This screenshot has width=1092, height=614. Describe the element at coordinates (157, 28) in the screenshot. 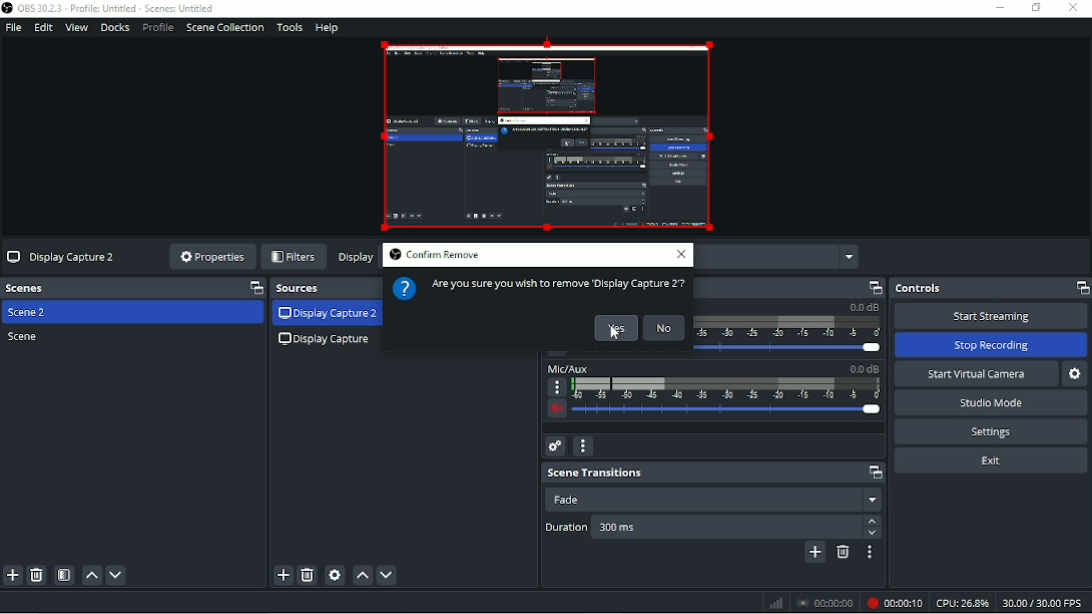

I see `Profile` at that location.